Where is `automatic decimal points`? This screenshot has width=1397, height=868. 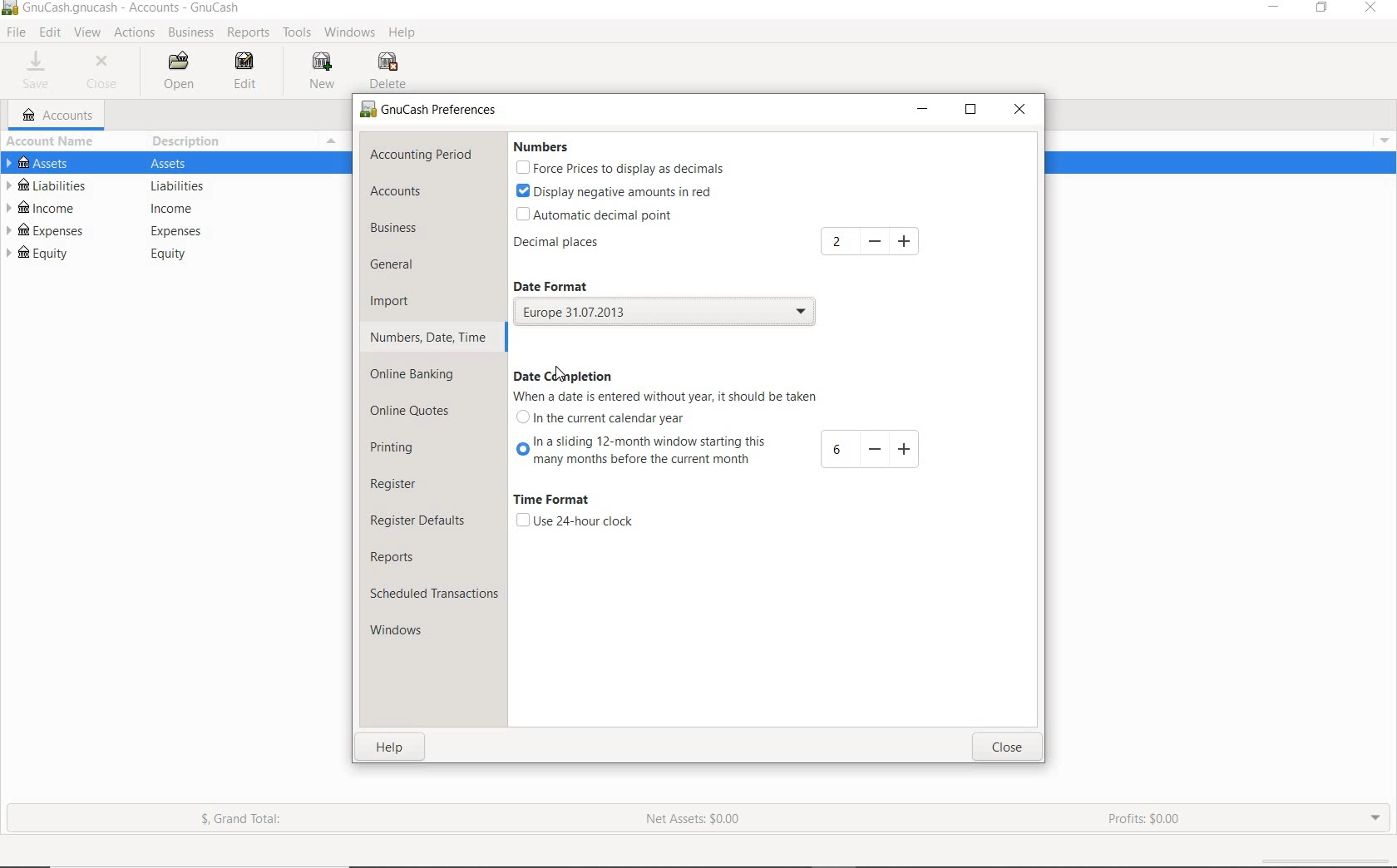
automatic decimal points is located at coordinates (596, 216).